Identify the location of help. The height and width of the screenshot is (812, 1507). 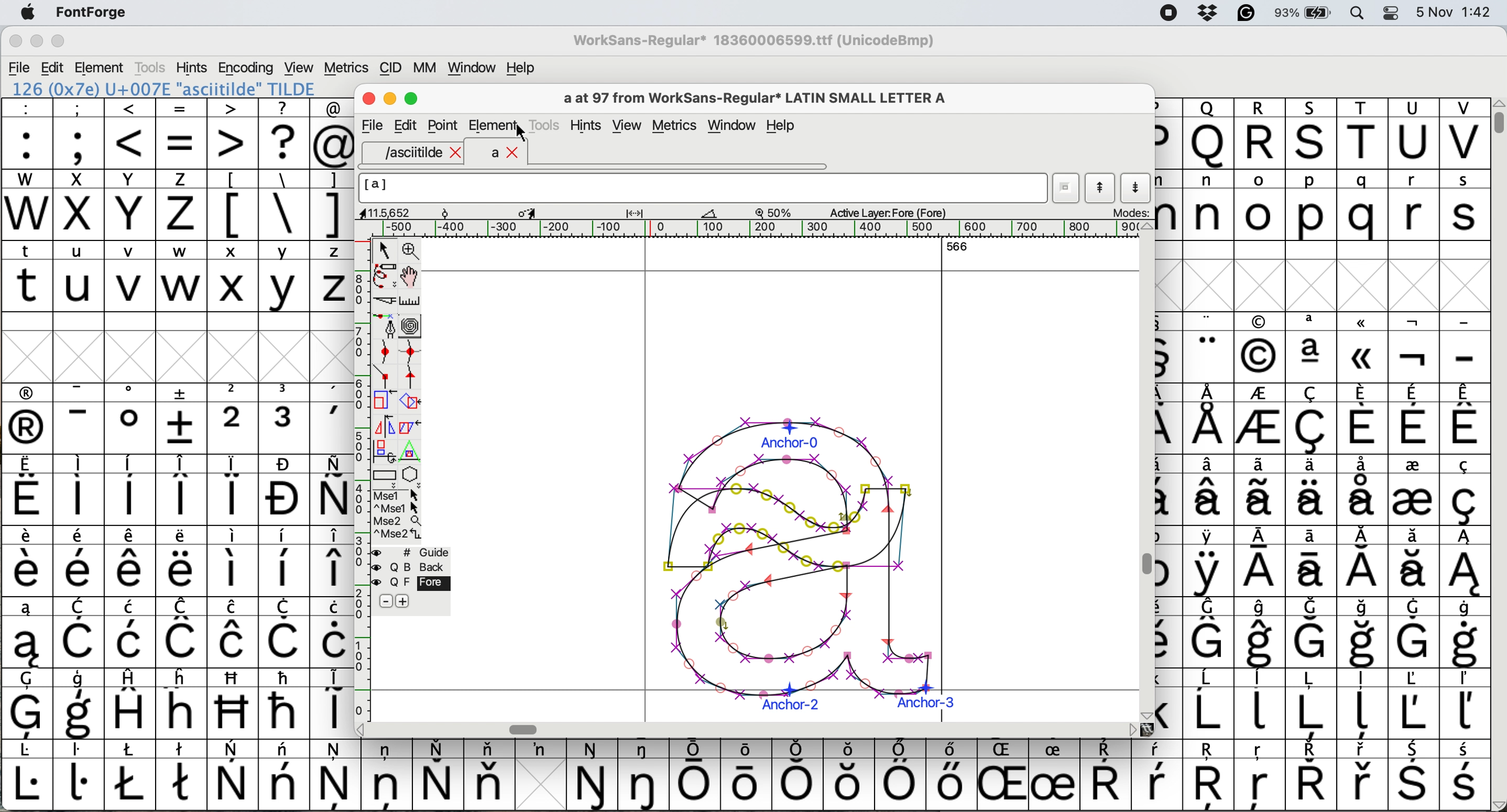
(522, 67).